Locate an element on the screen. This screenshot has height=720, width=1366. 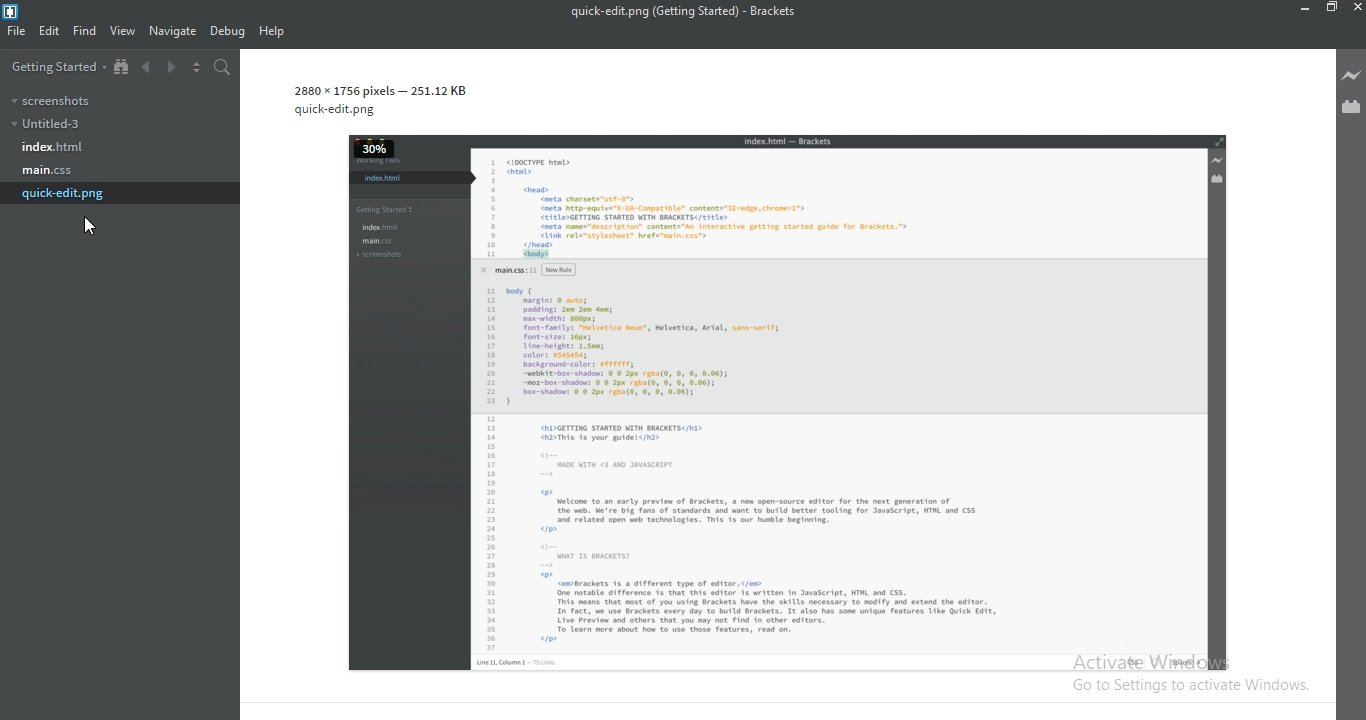
brackets icon is located at coordinates (13, 10).